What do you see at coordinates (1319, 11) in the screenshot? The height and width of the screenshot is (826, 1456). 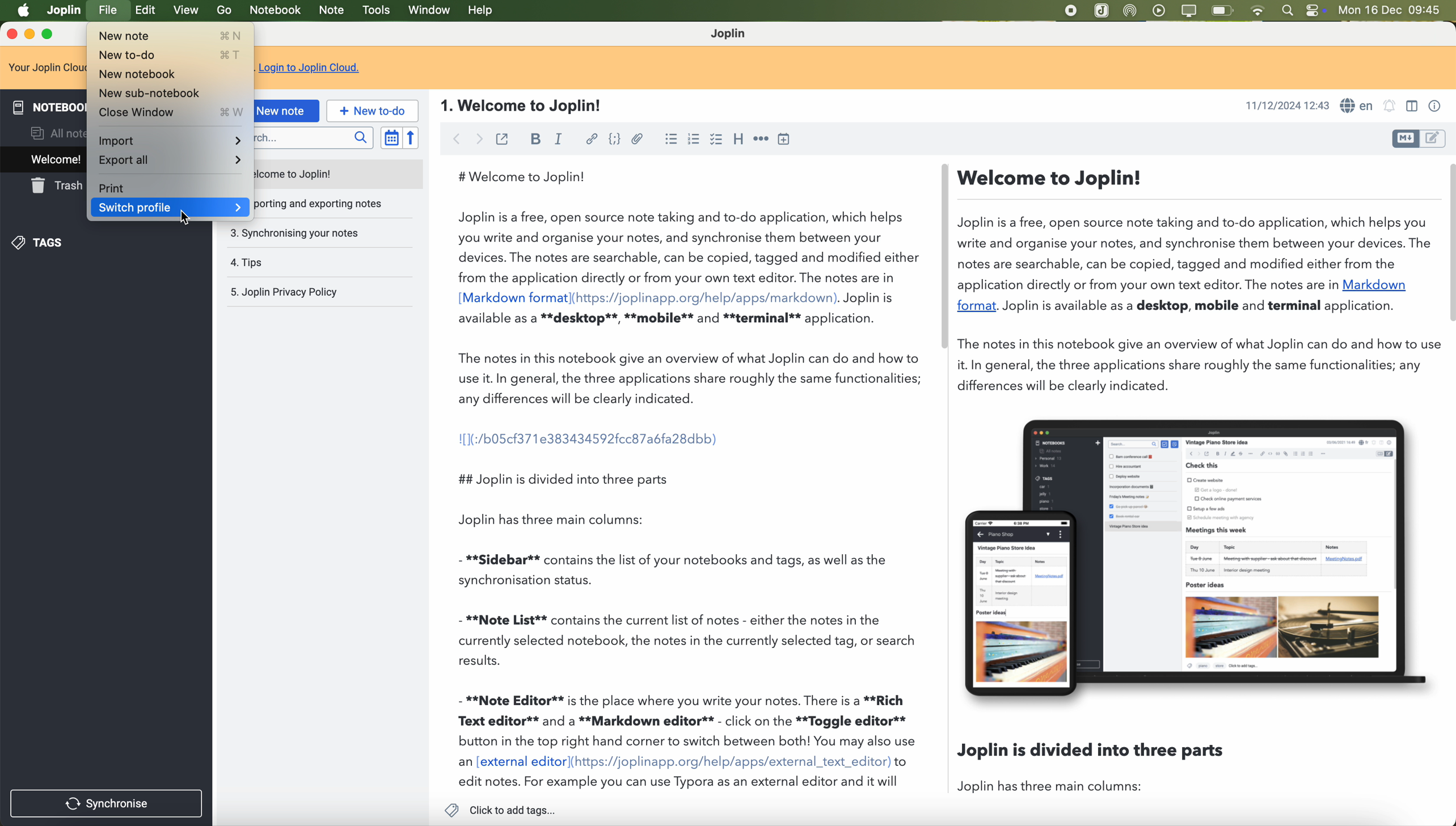 I see `controls` at bounding box center [1319, 11].